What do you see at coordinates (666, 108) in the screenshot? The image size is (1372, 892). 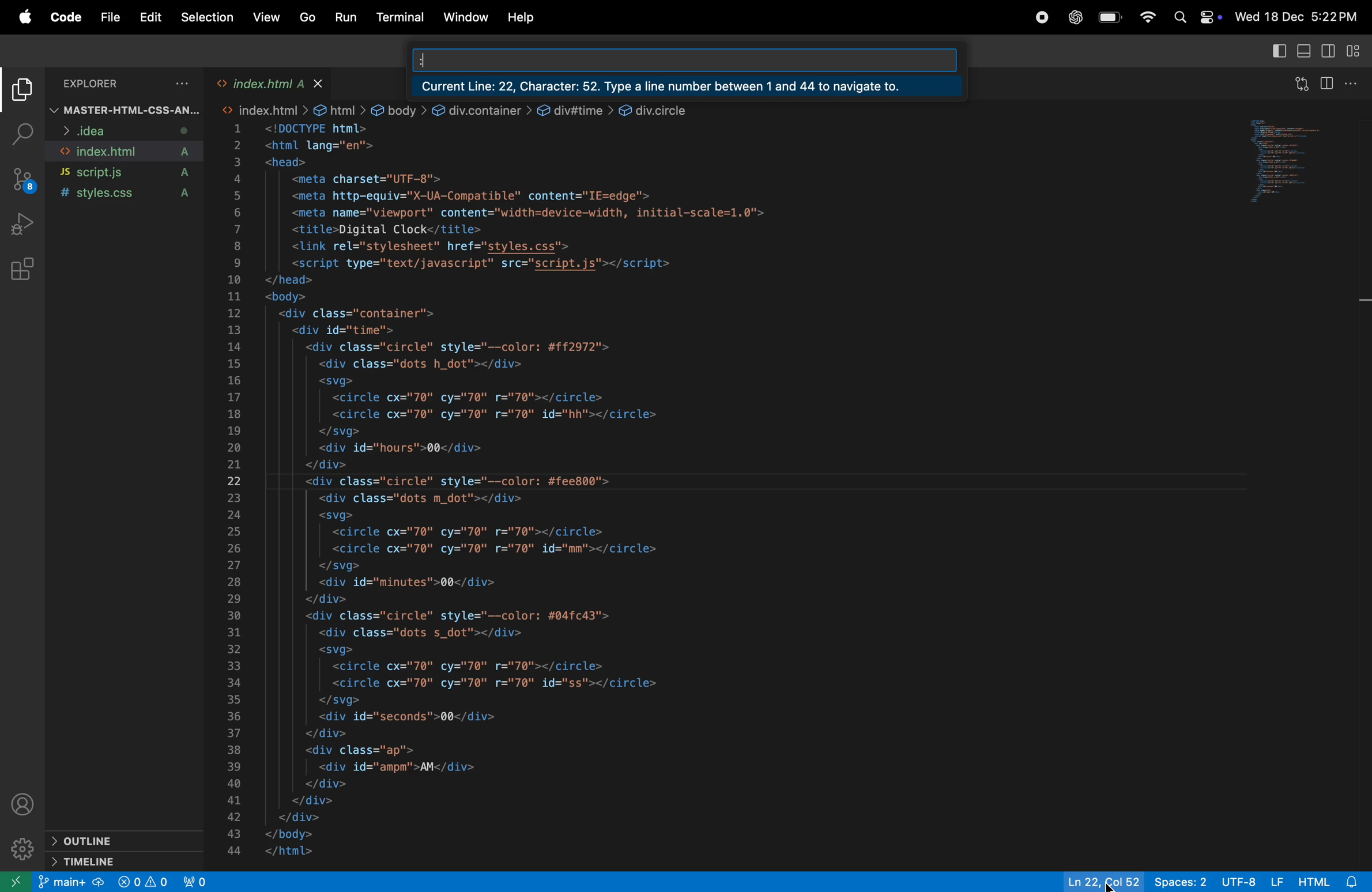 I see `link` at bounding box center [666, 108].